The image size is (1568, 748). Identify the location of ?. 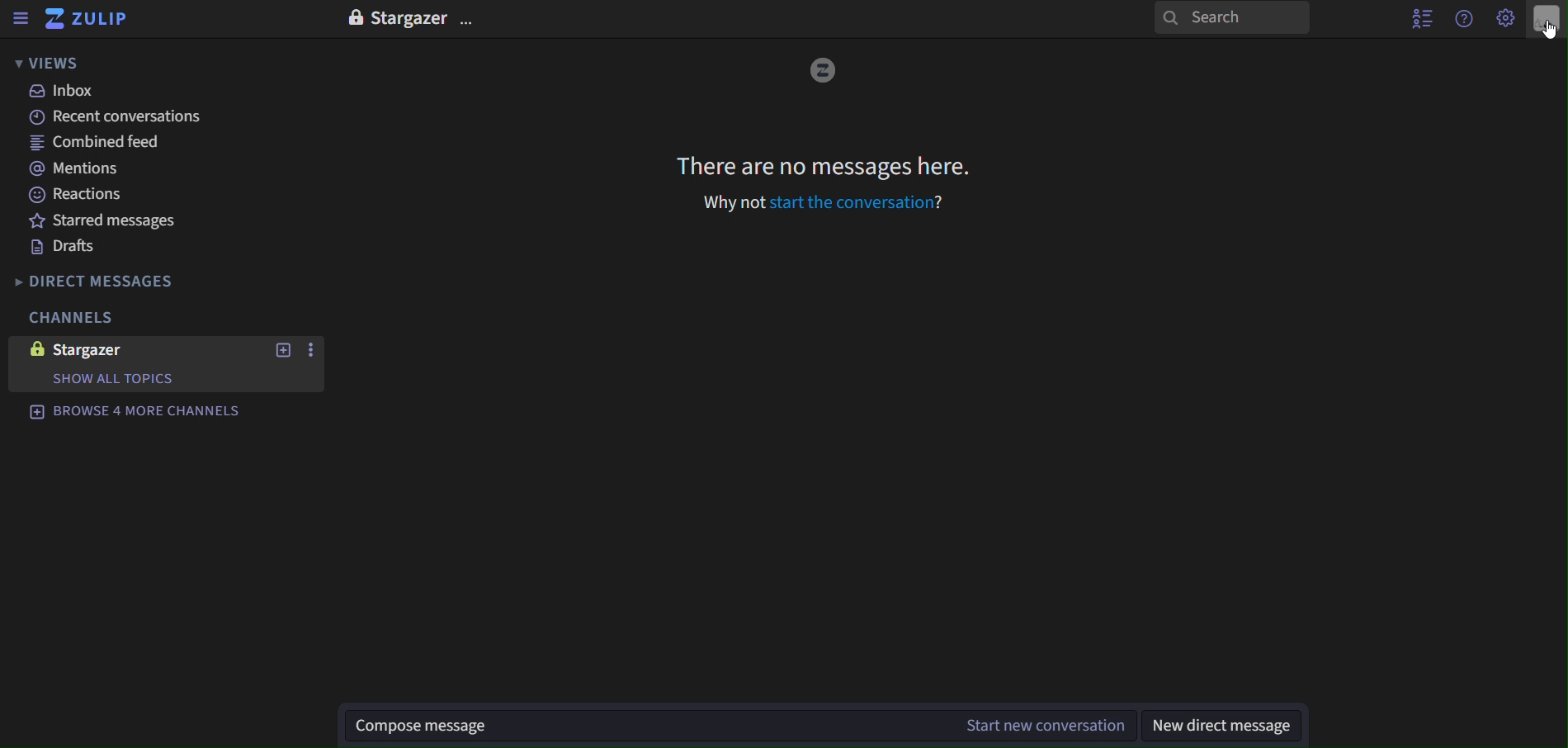
(942, 204).